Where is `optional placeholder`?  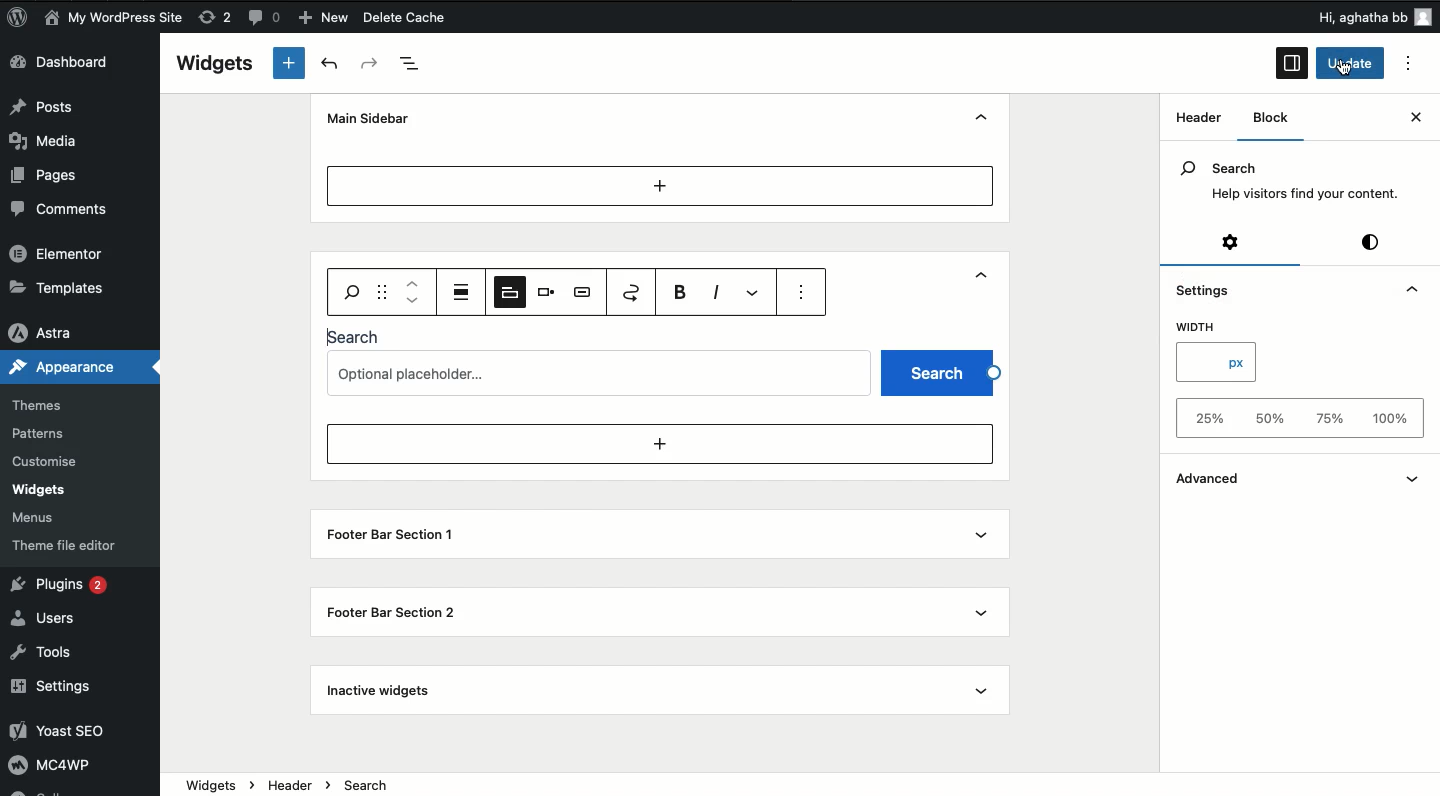
optional placeholder is located at coordinates (602, 371).